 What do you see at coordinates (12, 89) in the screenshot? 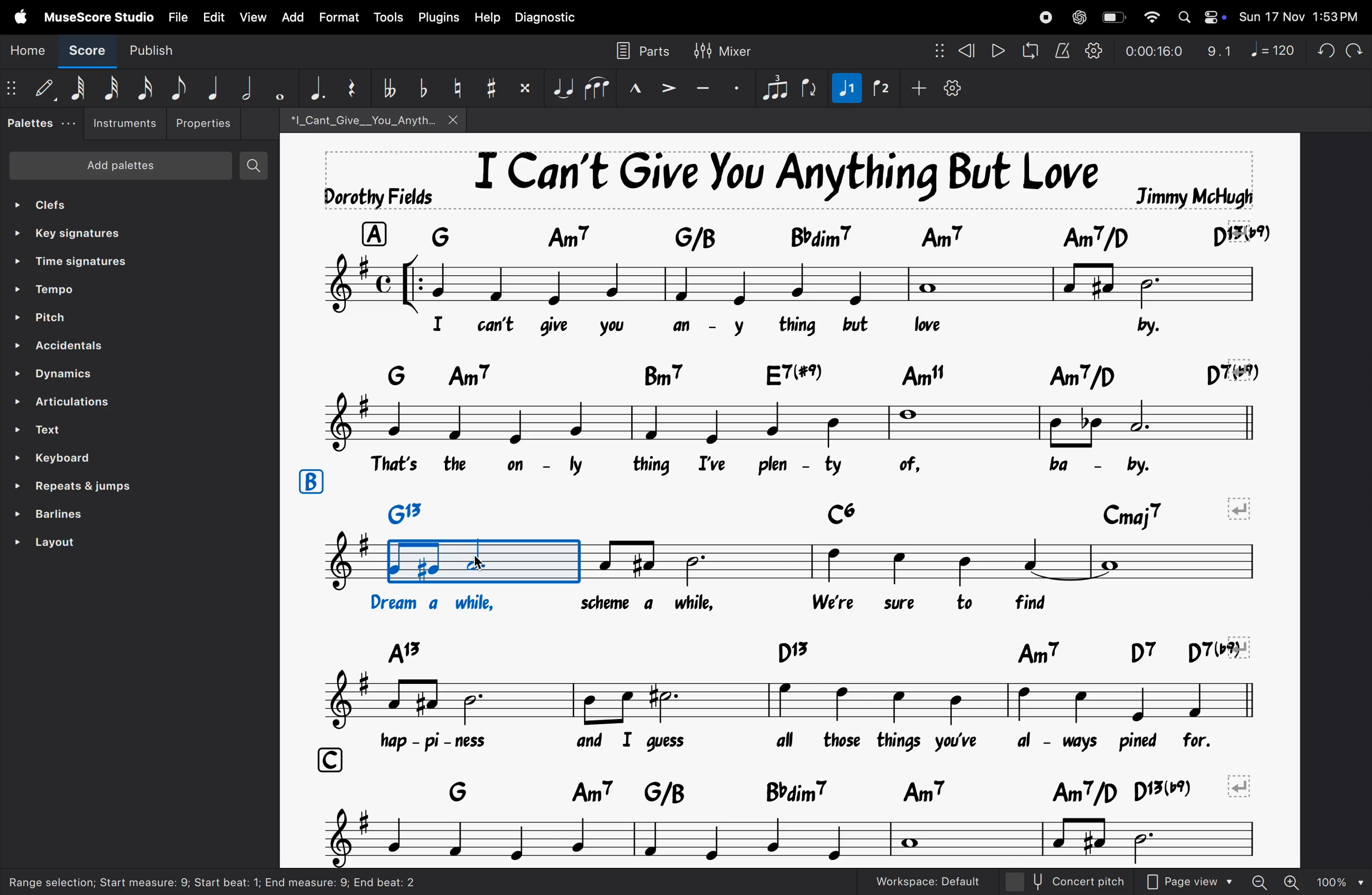
I see `matrix` at bounding box center [12, 89].